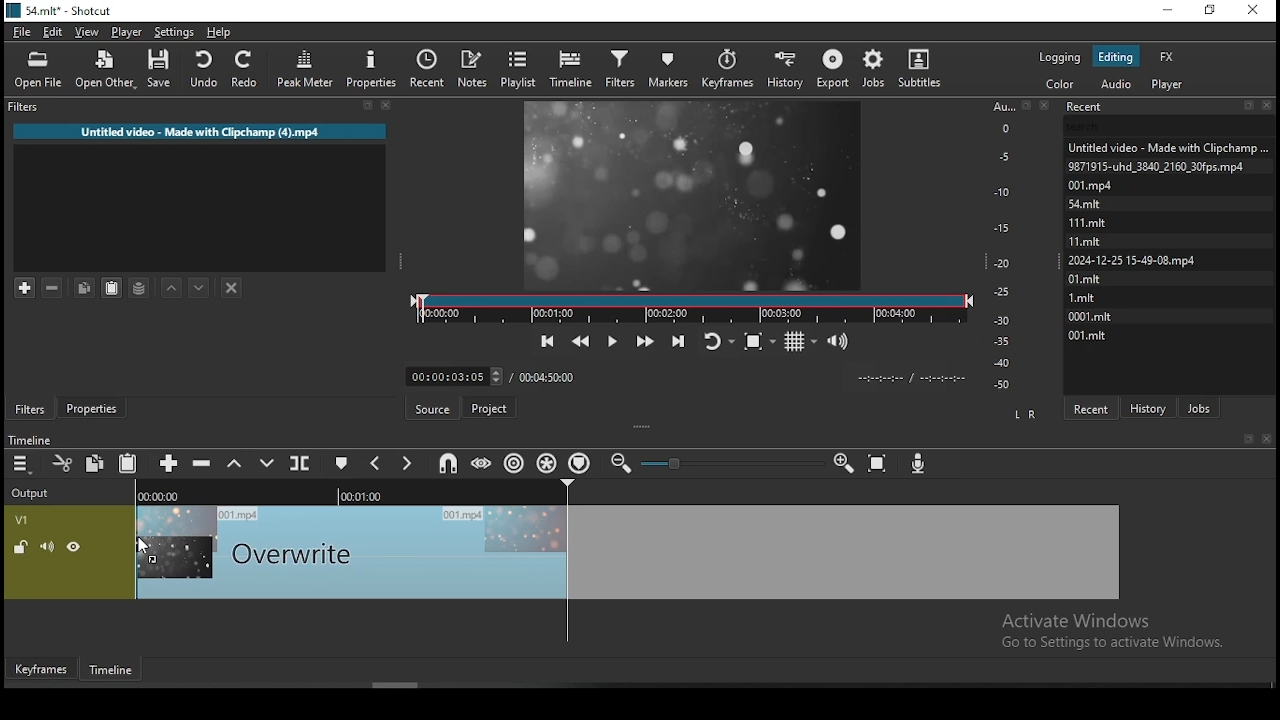 The width and height of the screenshot is (1280, 720). What do you see at coordinates (40, 668) in the screenshot?
I see `keyframe` at bounding box center [40, 668].